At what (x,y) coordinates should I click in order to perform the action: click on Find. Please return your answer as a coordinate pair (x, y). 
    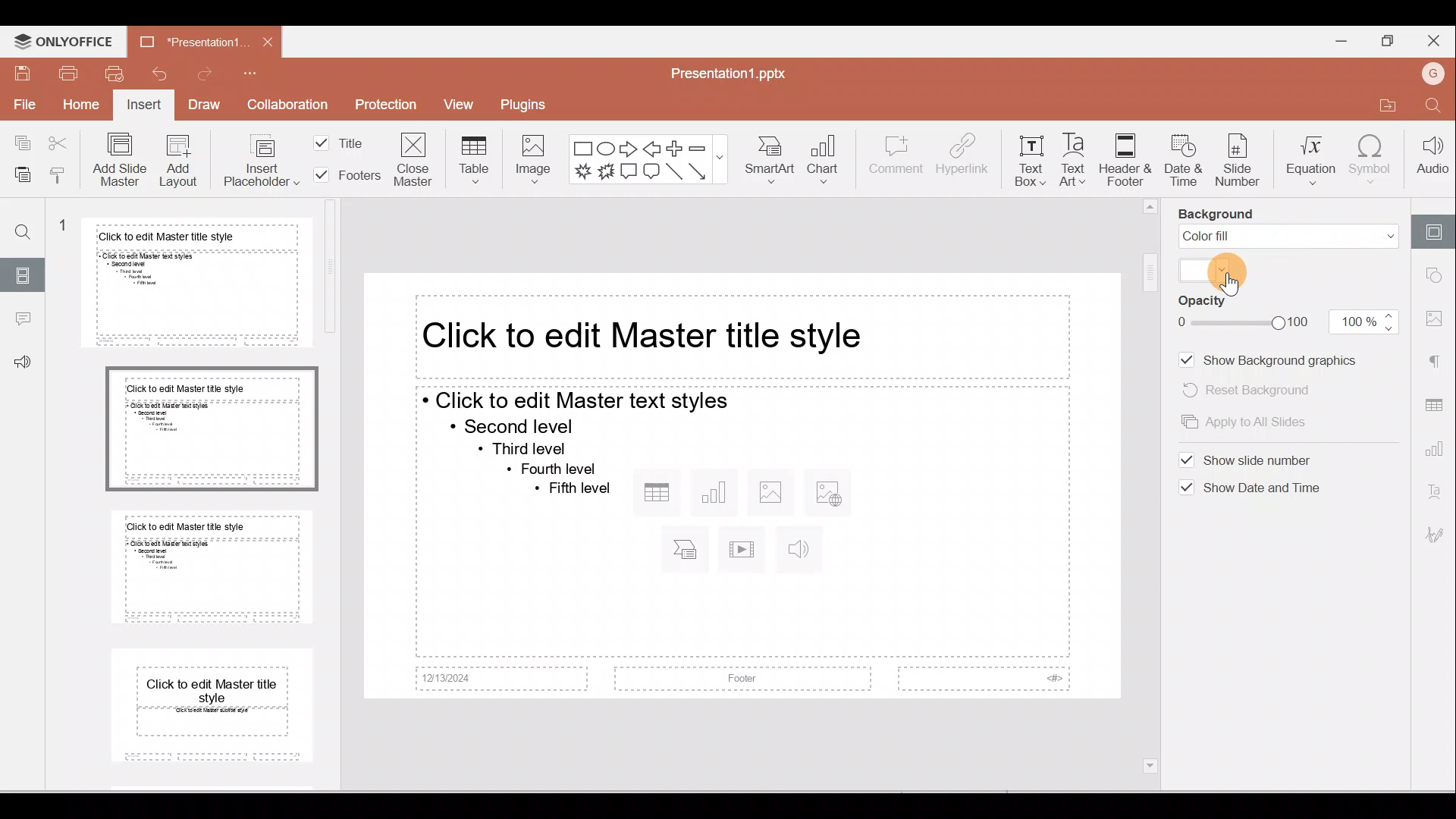
    Looking at the image, I should click on (24, 227).